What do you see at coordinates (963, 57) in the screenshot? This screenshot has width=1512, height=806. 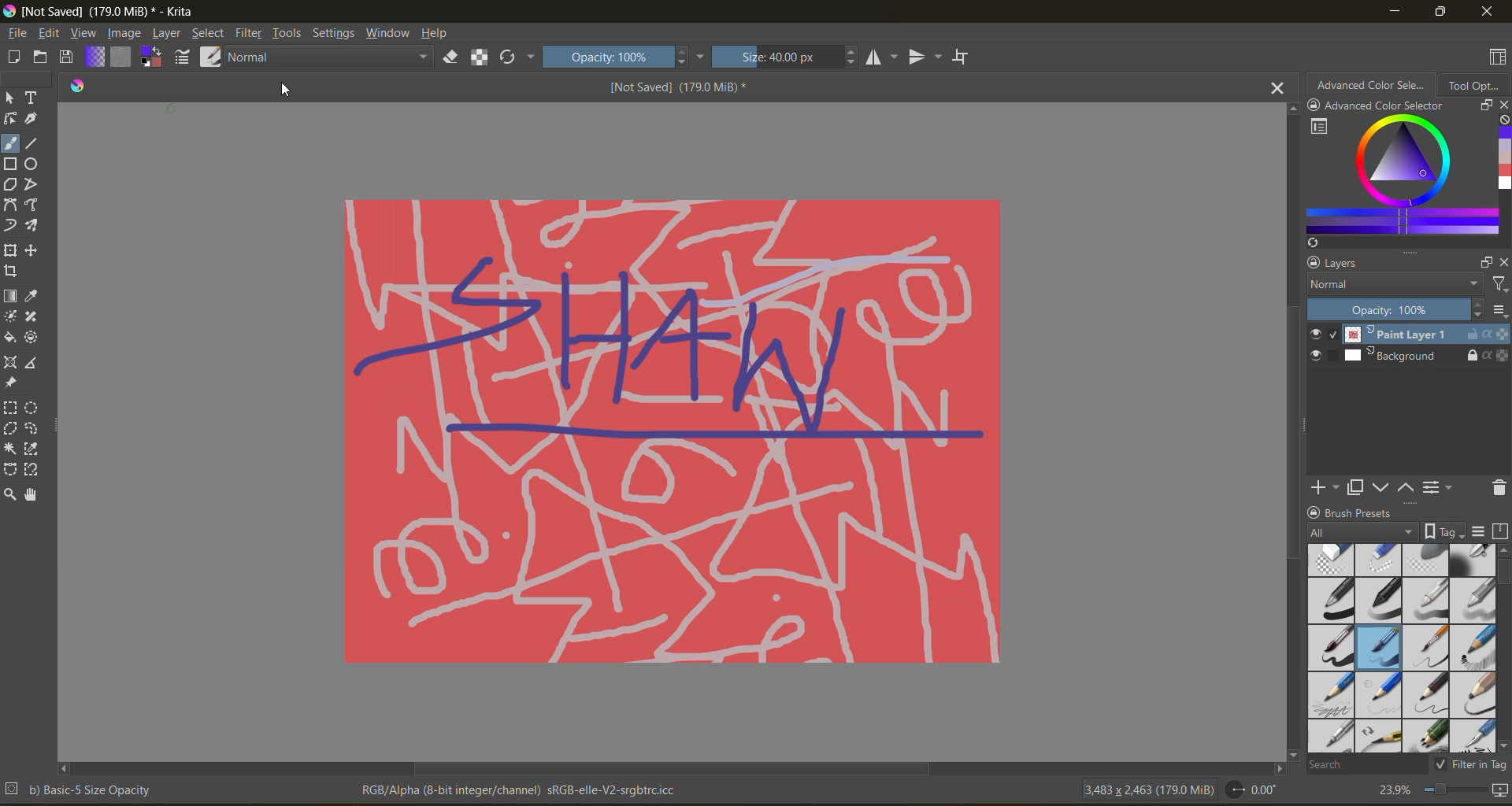 I see `wrap around mode` at bounding box center [963, 57].